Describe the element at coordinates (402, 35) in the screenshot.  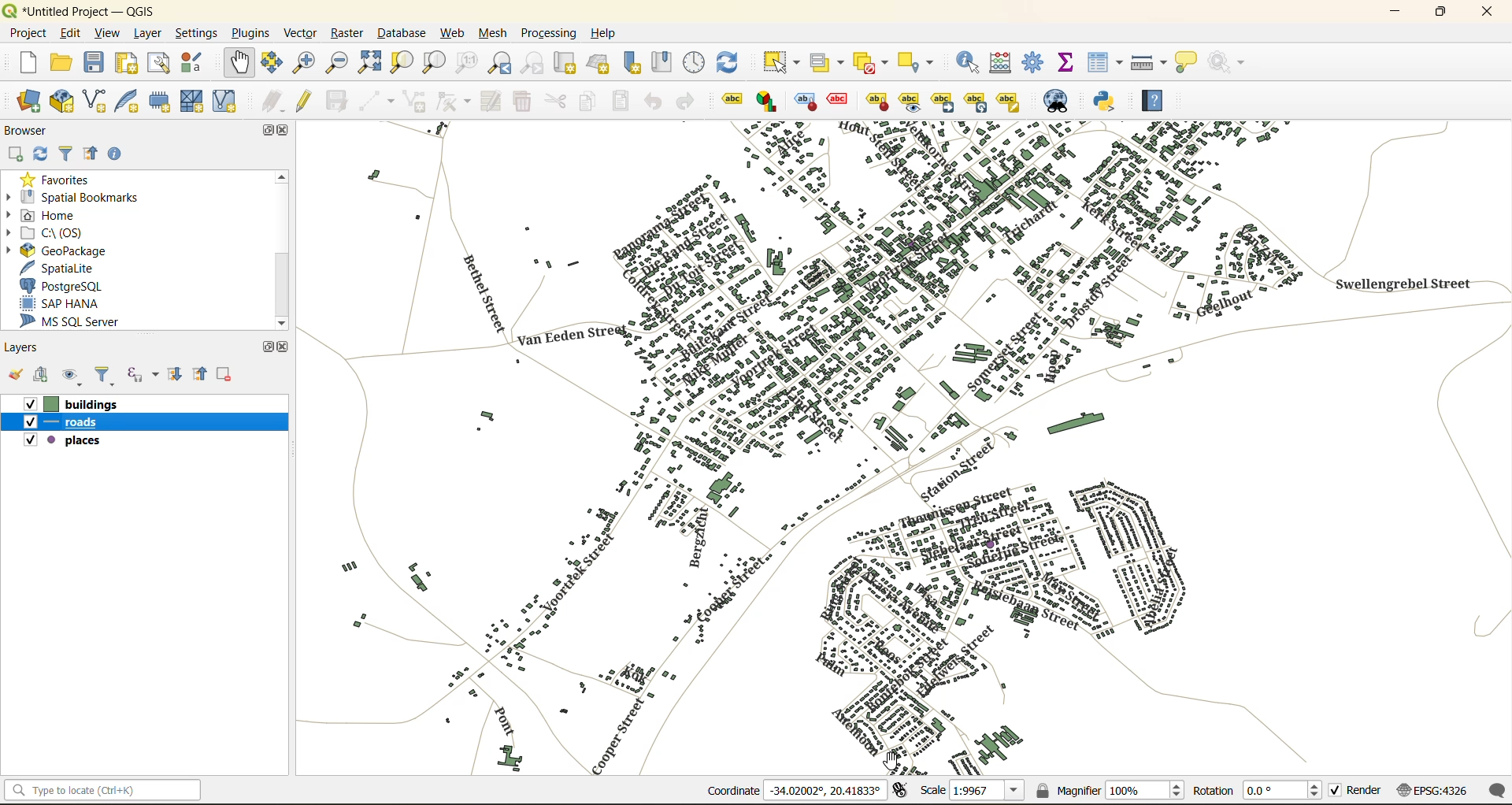
I see `database` at that location.